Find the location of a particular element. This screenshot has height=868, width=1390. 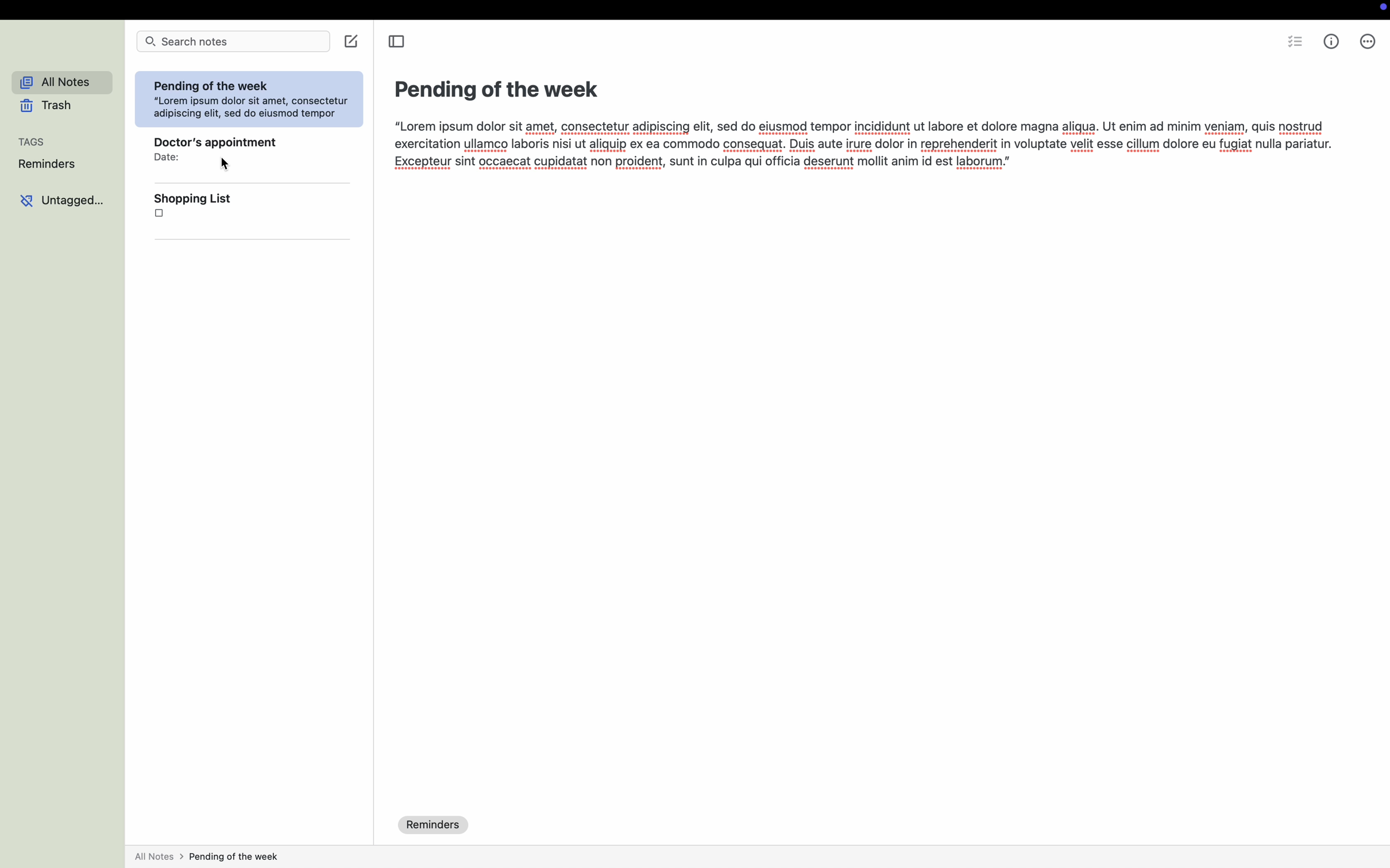

“Lorem ipsum dolor sit amet, consectetur adipiscing elit, sed do efusmod tempor incididunt ut labore et dolore magna aliqua. Ut enim ad minim veniam, quis nostrud
exercitation ullamco laboris nisi ut aliquip ex ea commodo consequat. Duis aute irure dolor in reprehenderit in voluptate velit esse cillum dolore eu fugiat nulla pariatur.
Excepteur sint occaecat cupidatat non proident, sunt in culpa qui officia deserunt mollit anim id est laborum." is located at coordinates (861, 146).